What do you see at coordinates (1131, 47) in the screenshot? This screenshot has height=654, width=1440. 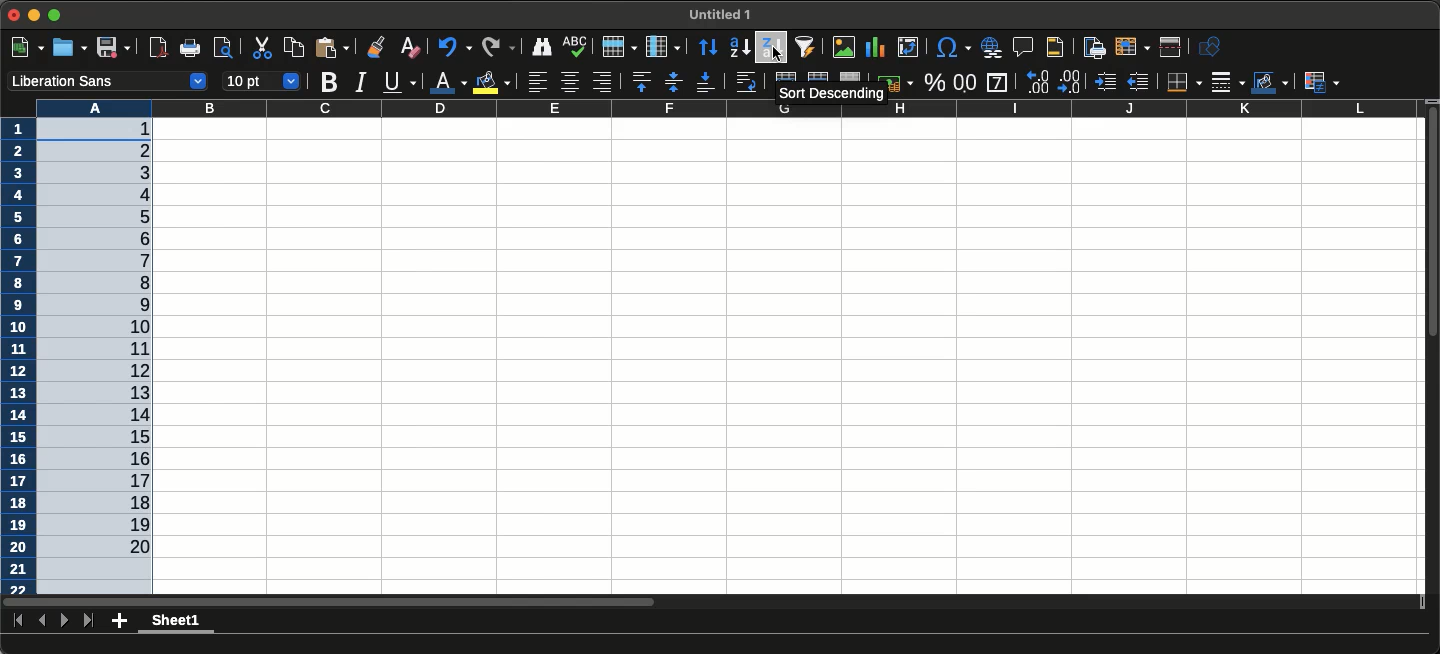 I see `Freeze rows and columns` at bounding box center [1131, 47].